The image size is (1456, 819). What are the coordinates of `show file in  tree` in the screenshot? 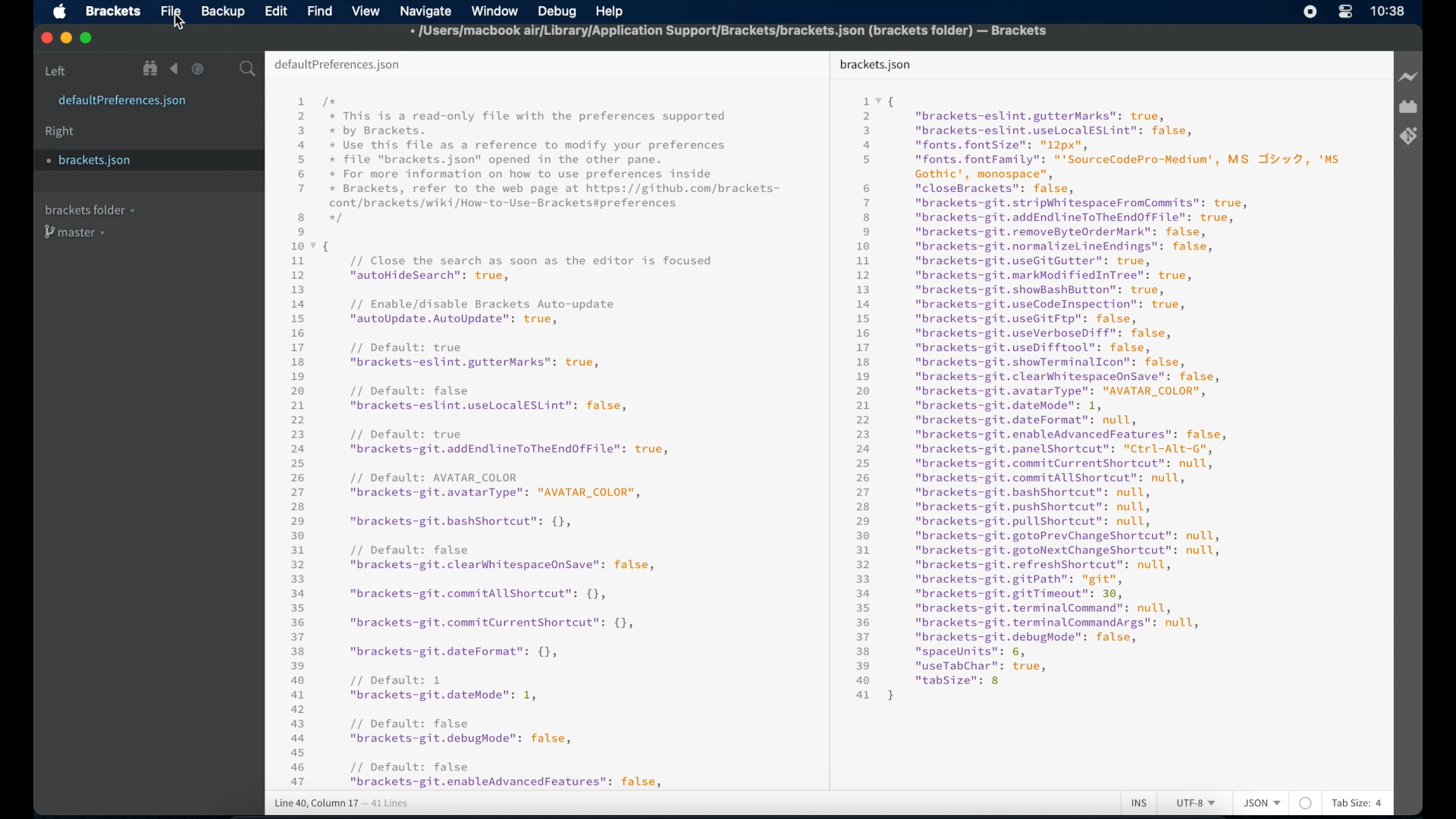 It's located at (151, 68).